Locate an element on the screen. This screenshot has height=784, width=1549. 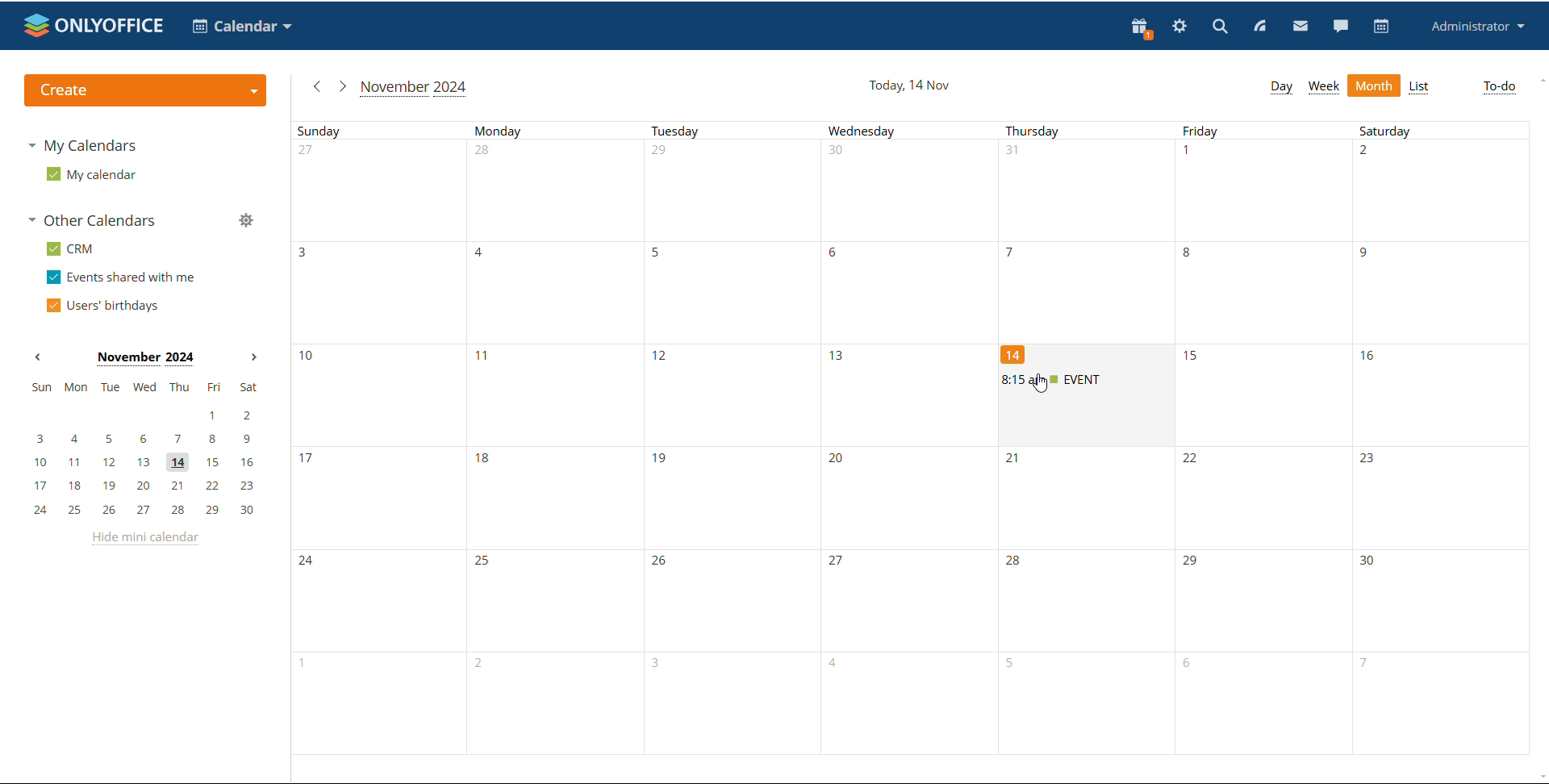
other calendars is located at coordinates (95, 219).